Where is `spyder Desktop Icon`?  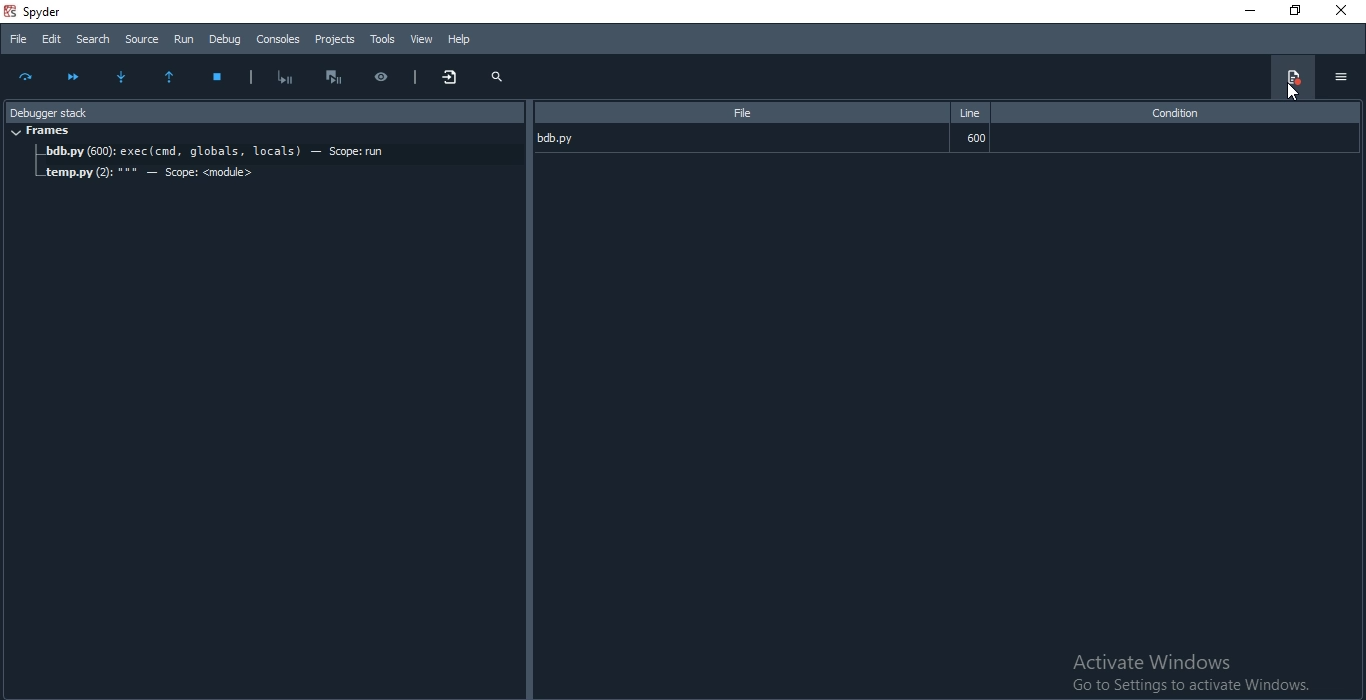
spyder Desktop Icon is located at coordinates (40, 11).